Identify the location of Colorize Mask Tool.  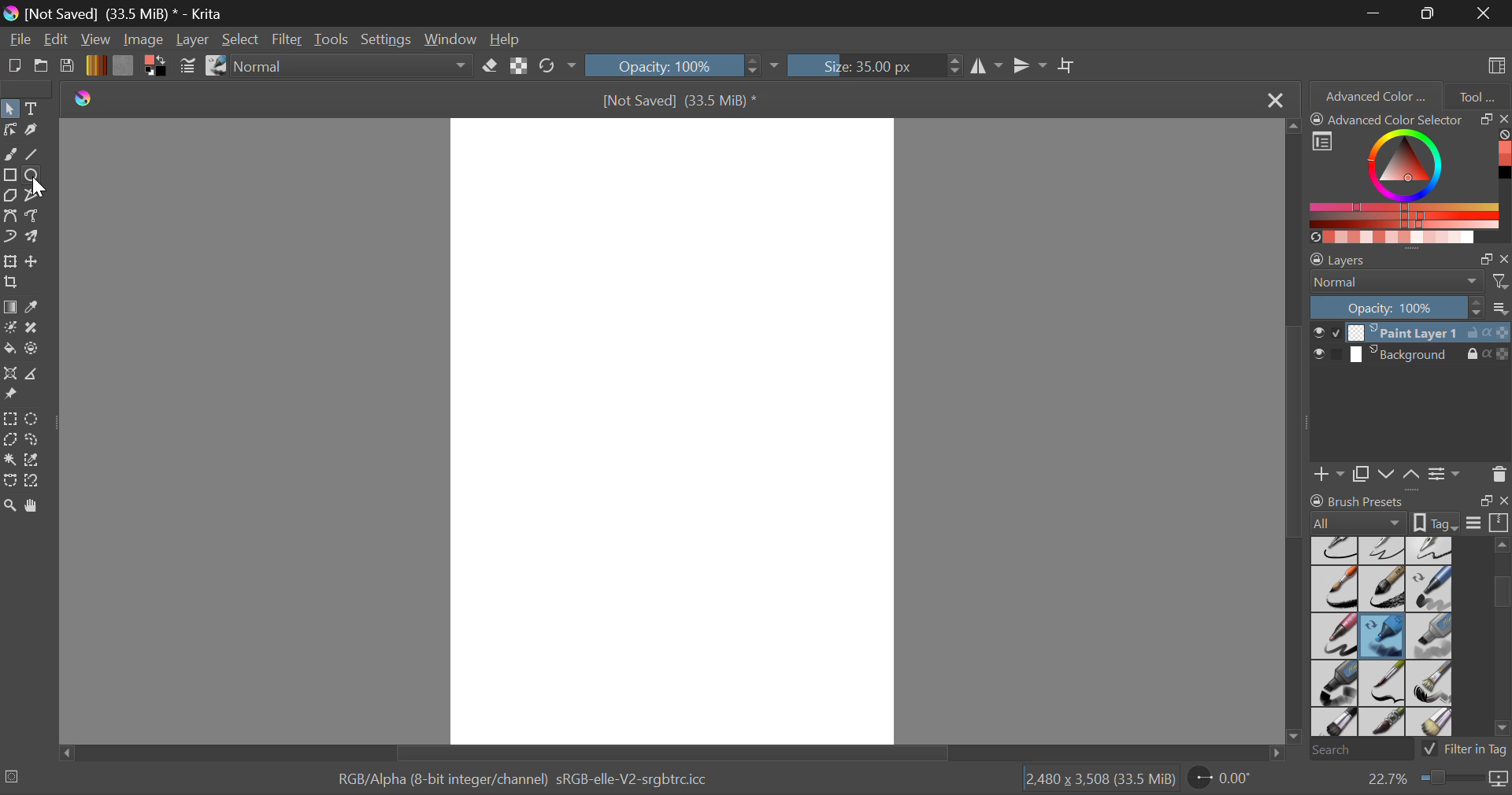
(11, 329).